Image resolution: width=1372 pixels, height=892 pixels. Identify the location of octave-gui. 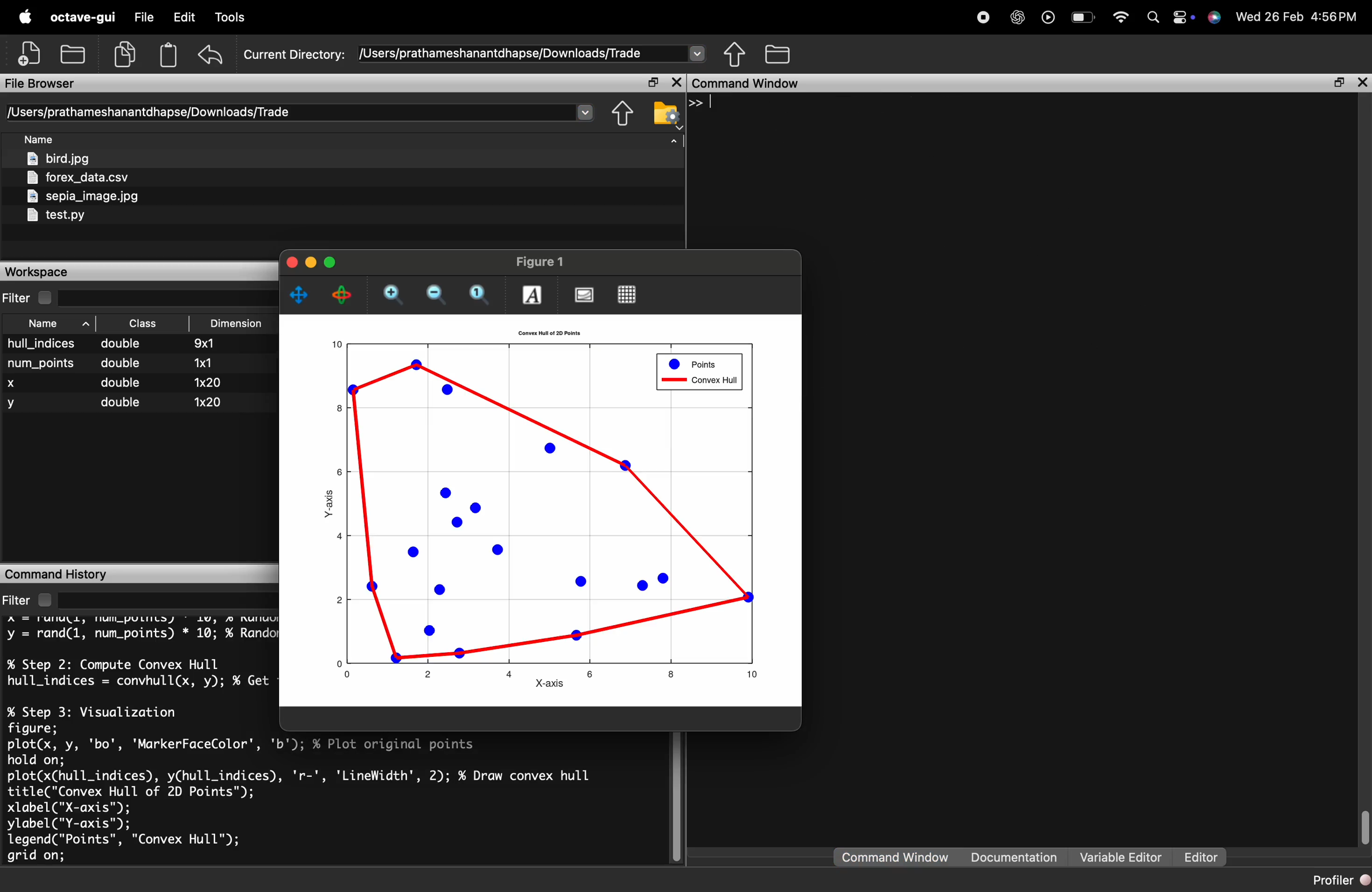
(84, 17).